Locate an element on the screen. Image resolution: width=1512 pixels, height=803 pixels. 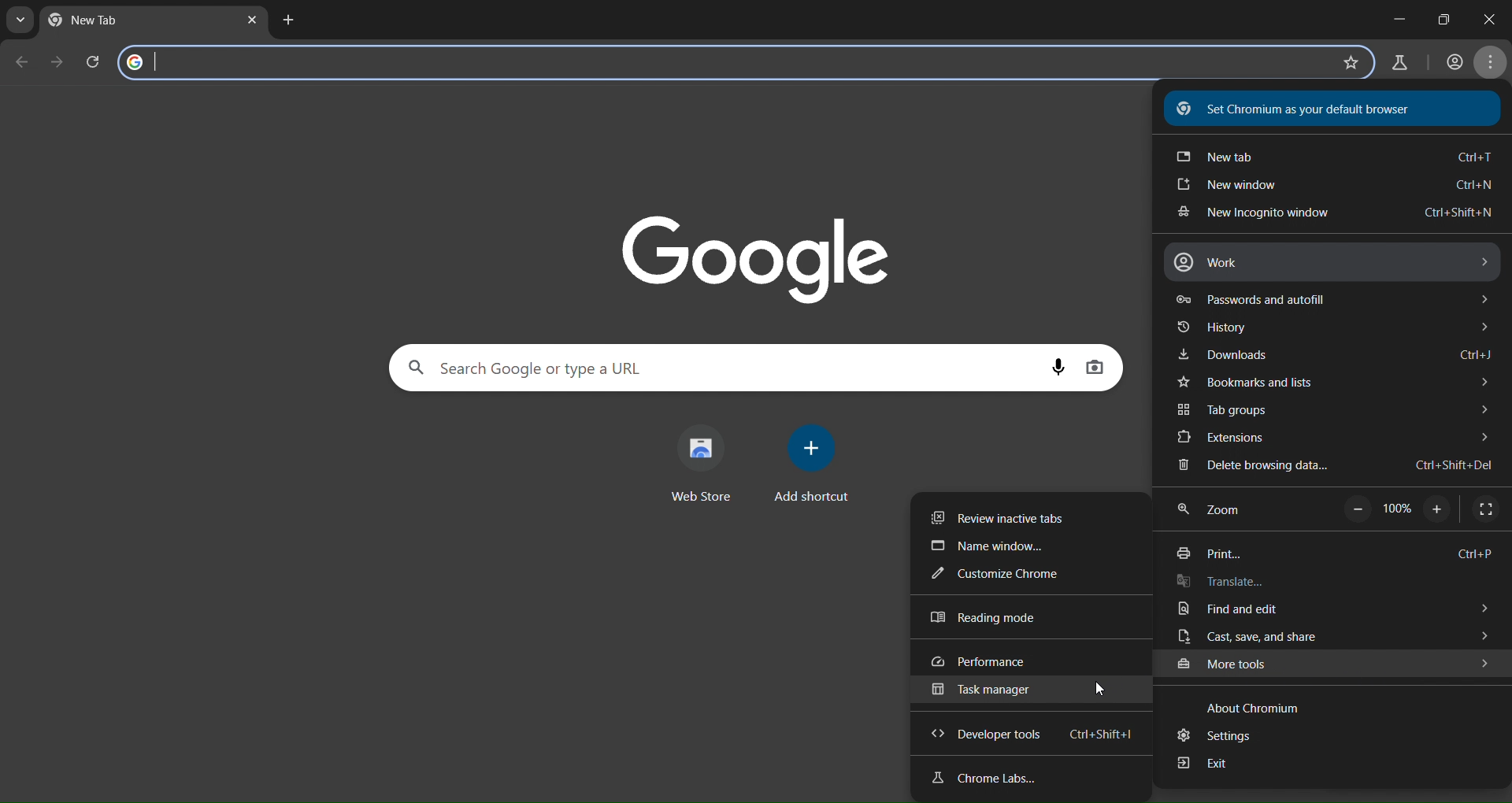
search is located at coordinates (533, 367).